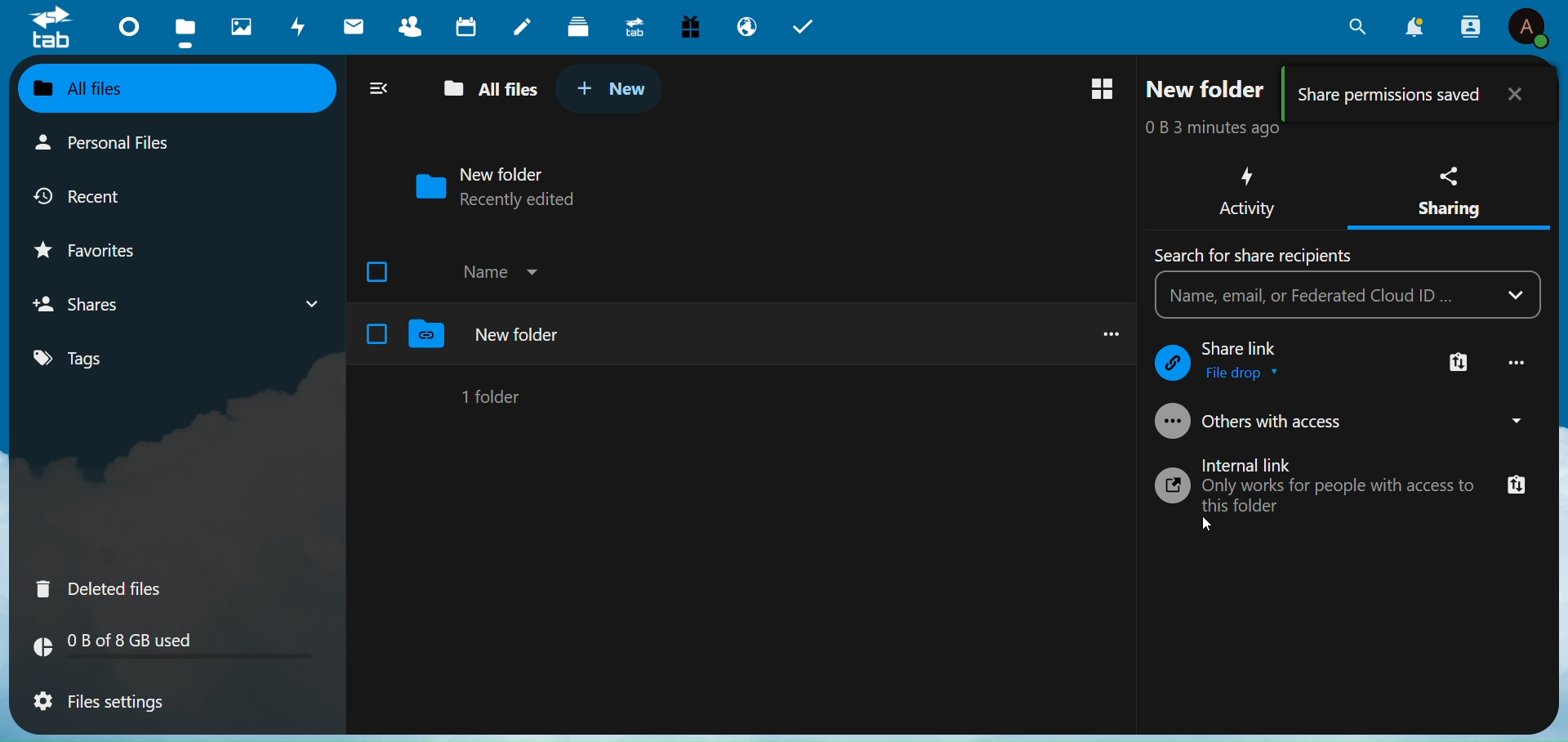 Image resolution: width=1568 pixels, height=742 pixels. Describe the element at coordinates (1281, 422) in the screenshot. I see `Others with access` at that location.